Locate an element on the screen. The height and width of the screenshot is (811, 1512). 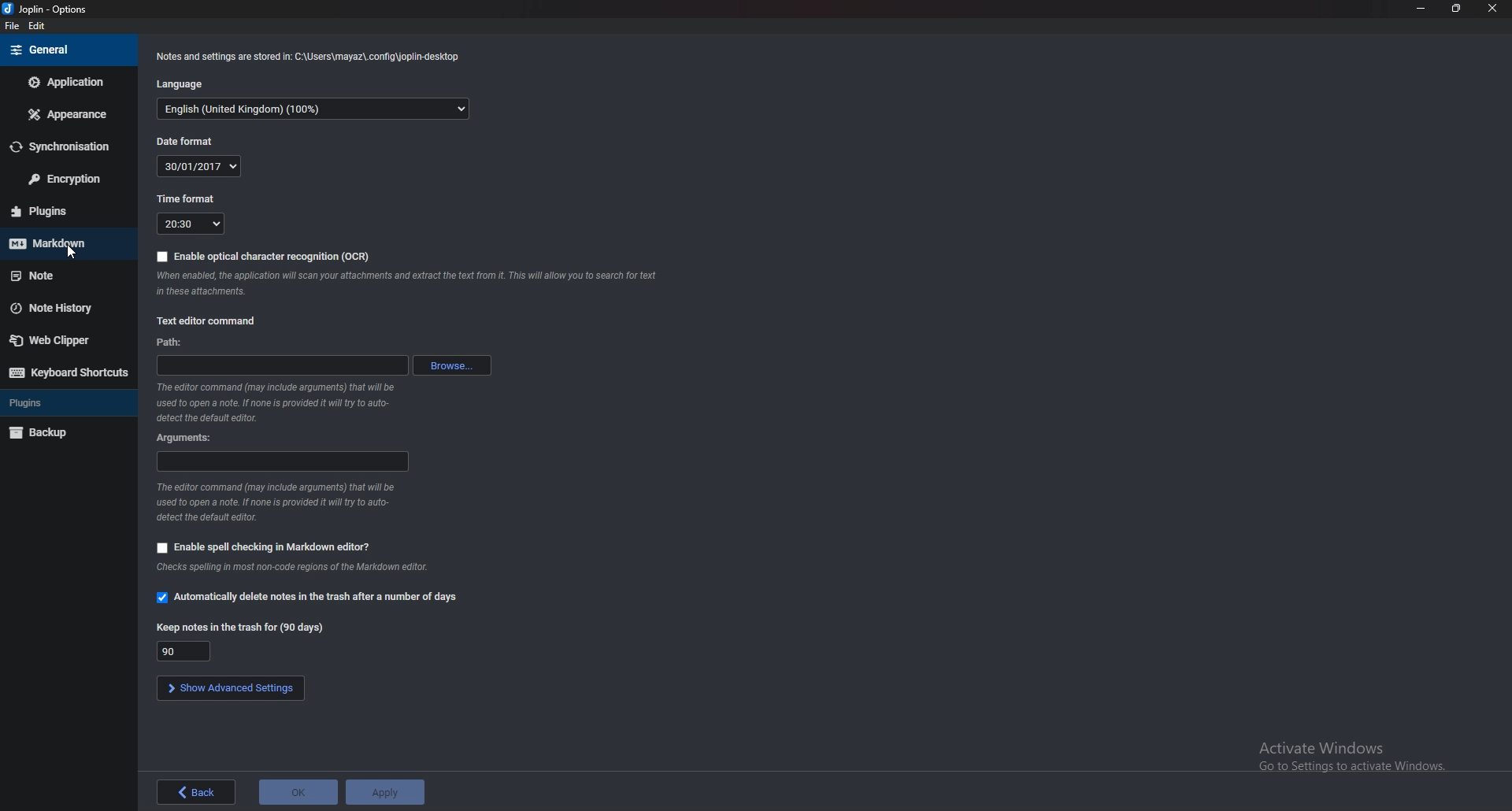
Info is located at coordinates (272, 502).